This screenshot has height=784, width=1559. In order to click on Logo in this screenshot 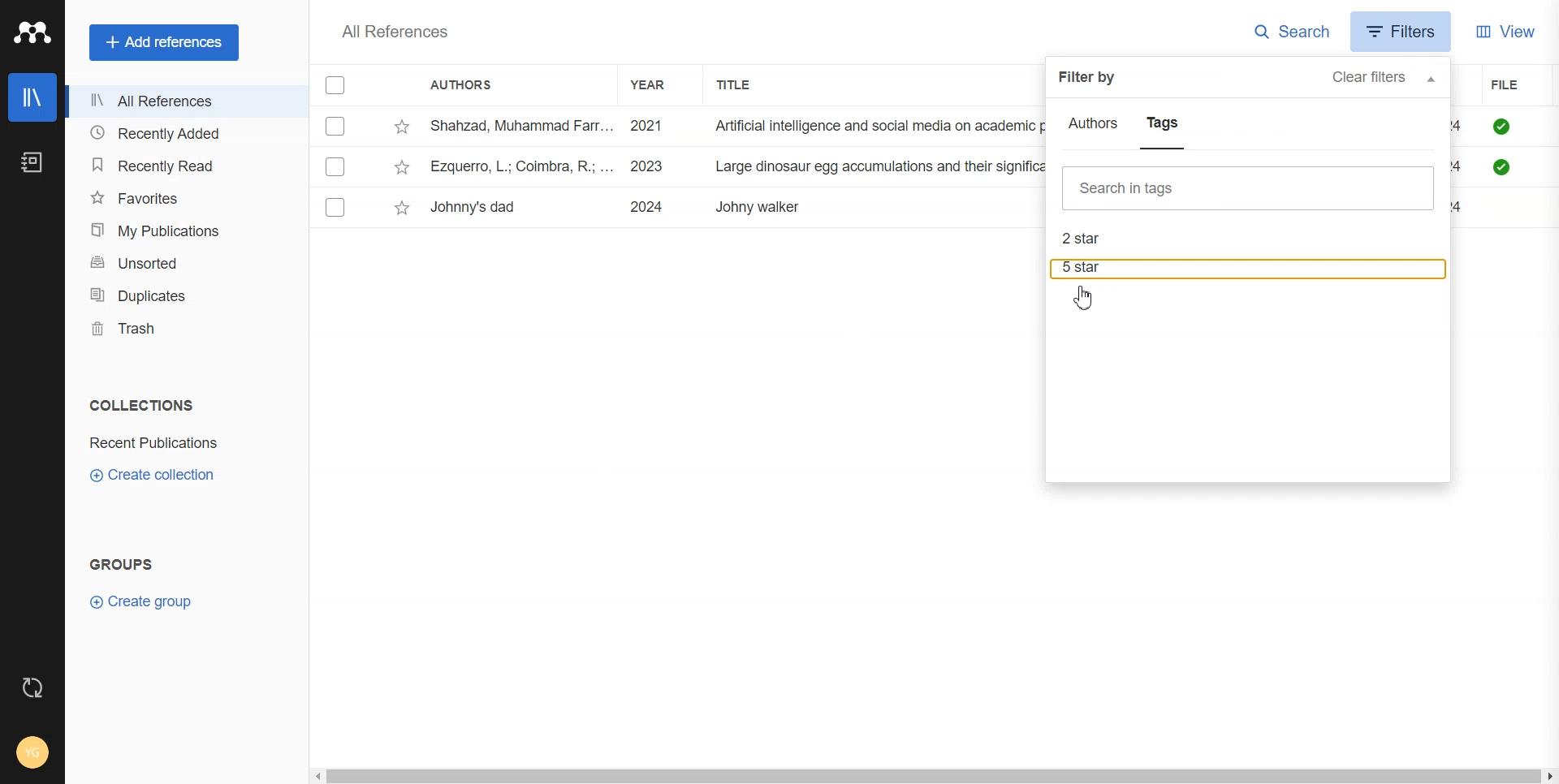, I will do `click(32, 32)`.